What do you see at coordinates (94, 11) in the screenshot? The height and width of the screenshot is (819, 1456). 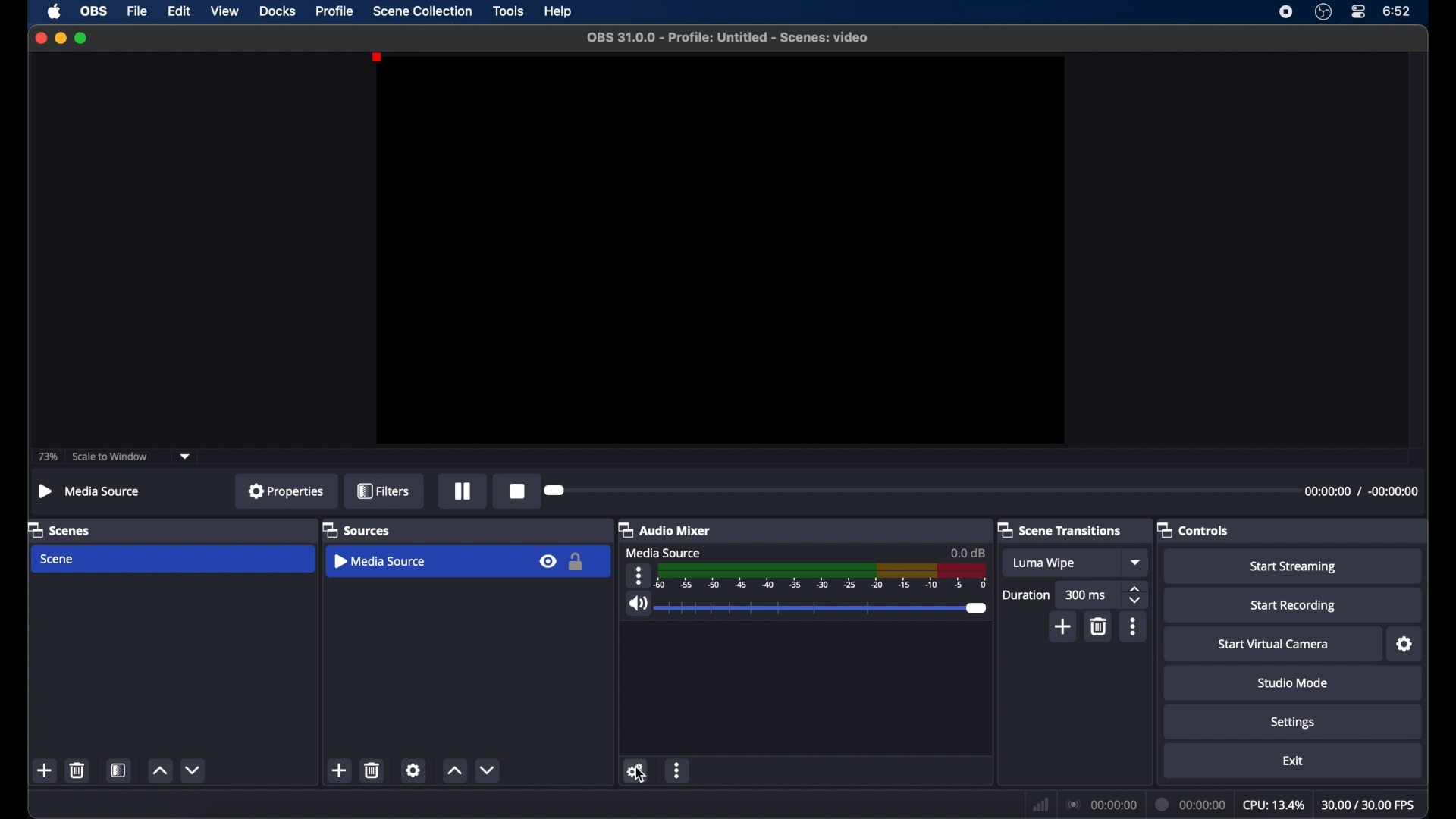 I see `obs` at bounding box center [94, 11].